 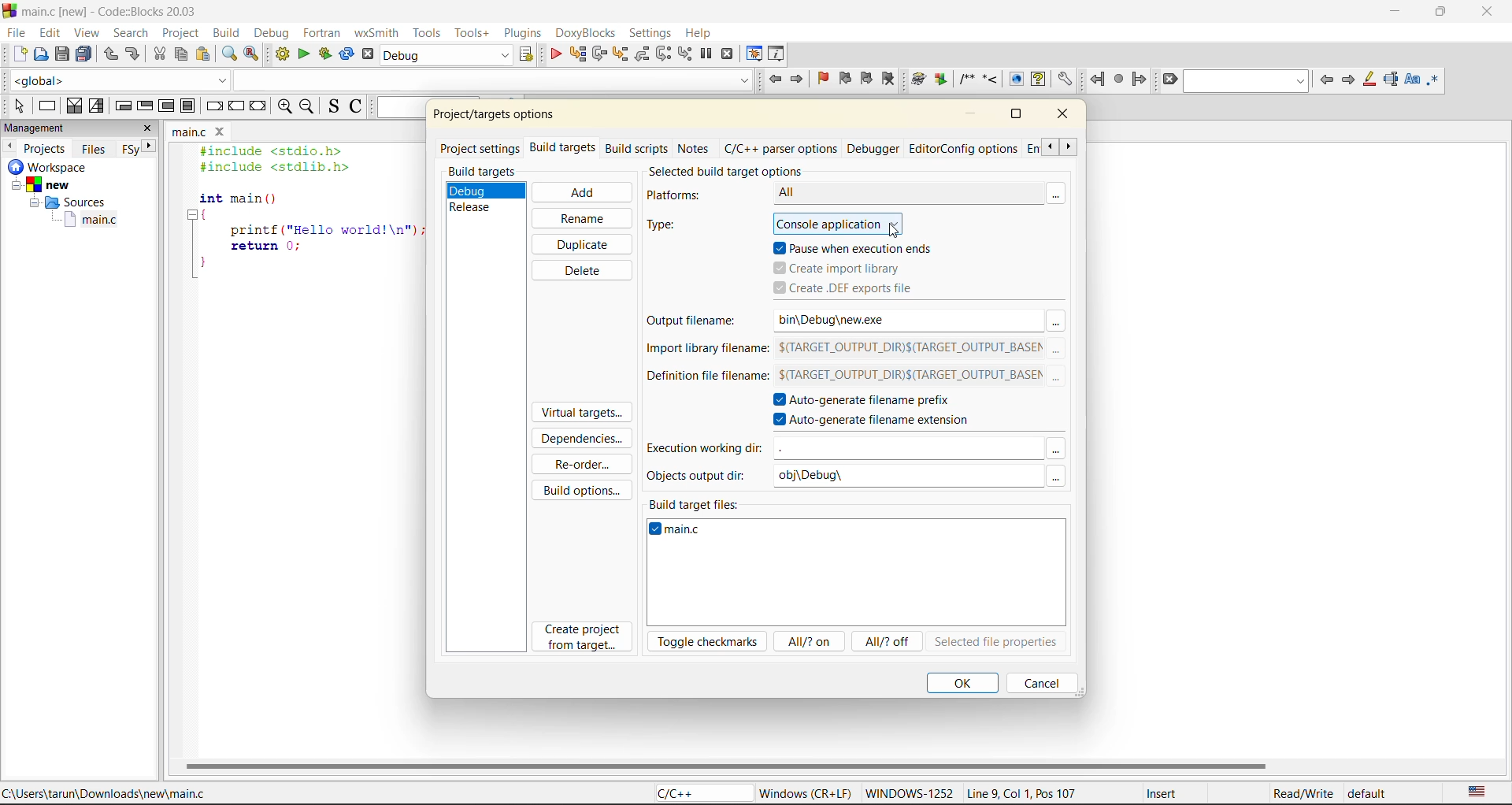 What do you see at coordinates (322, 31) in the screenshot?
I see `fortran` at bounding box center [322, 31].